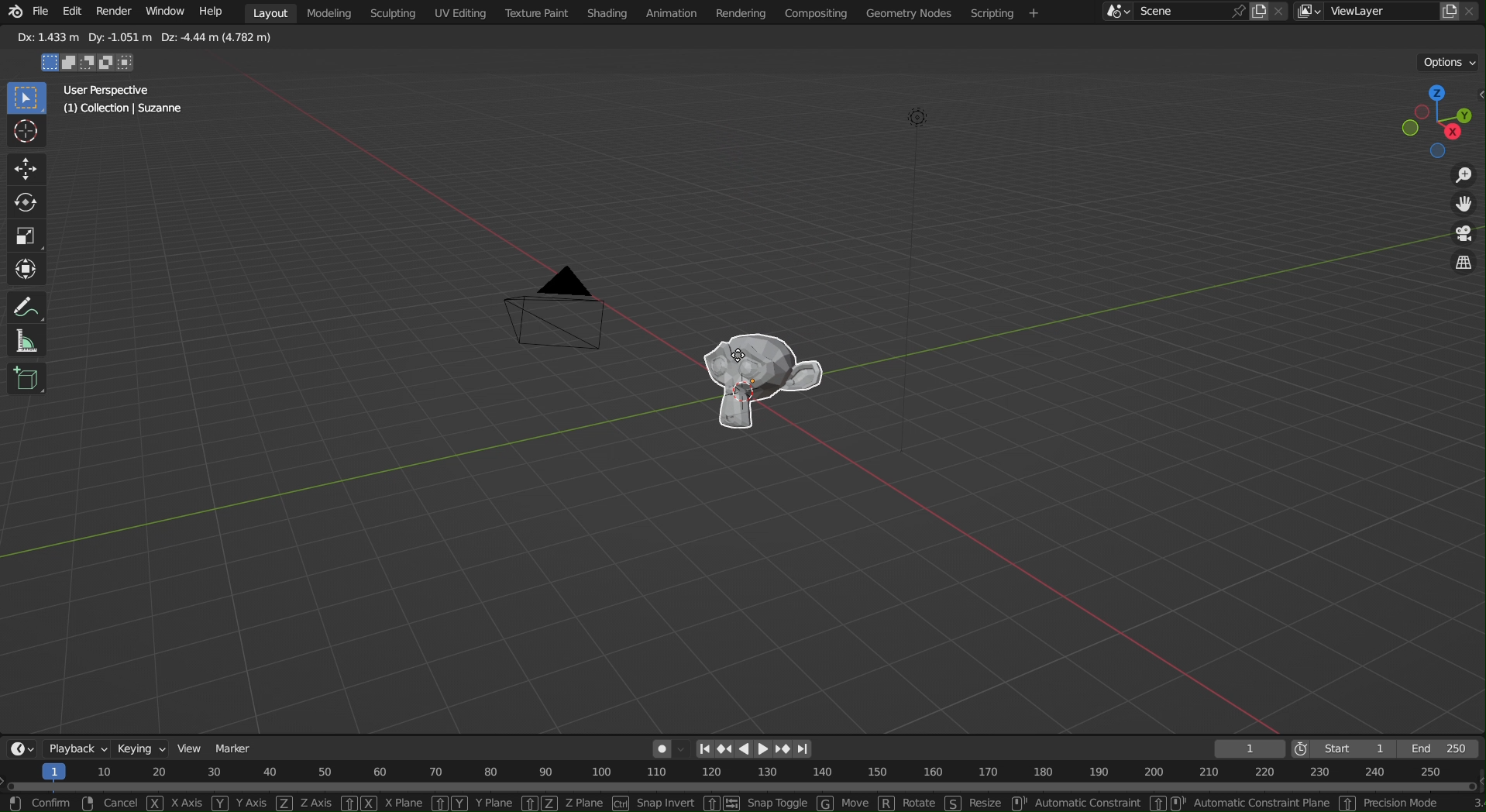  I want to click on rotate, so click(919, 803).